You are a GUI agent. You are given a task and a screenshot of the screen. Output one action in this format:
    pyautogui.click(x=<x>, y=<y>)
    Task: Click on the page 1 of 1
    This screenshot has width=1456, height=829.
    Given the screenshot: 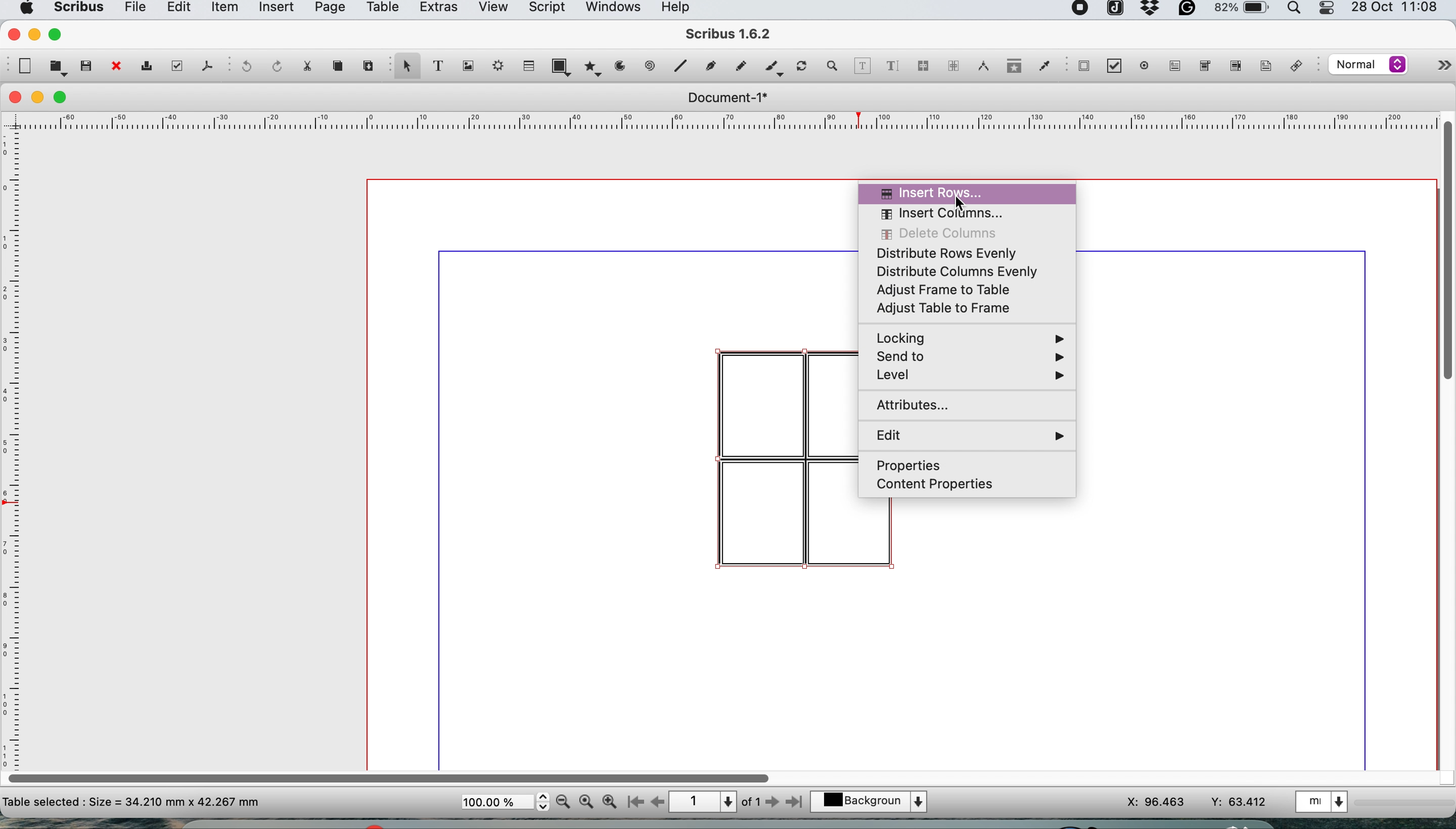 What is the action you would take?
    pyautogui.click(x=714, y=802)
    